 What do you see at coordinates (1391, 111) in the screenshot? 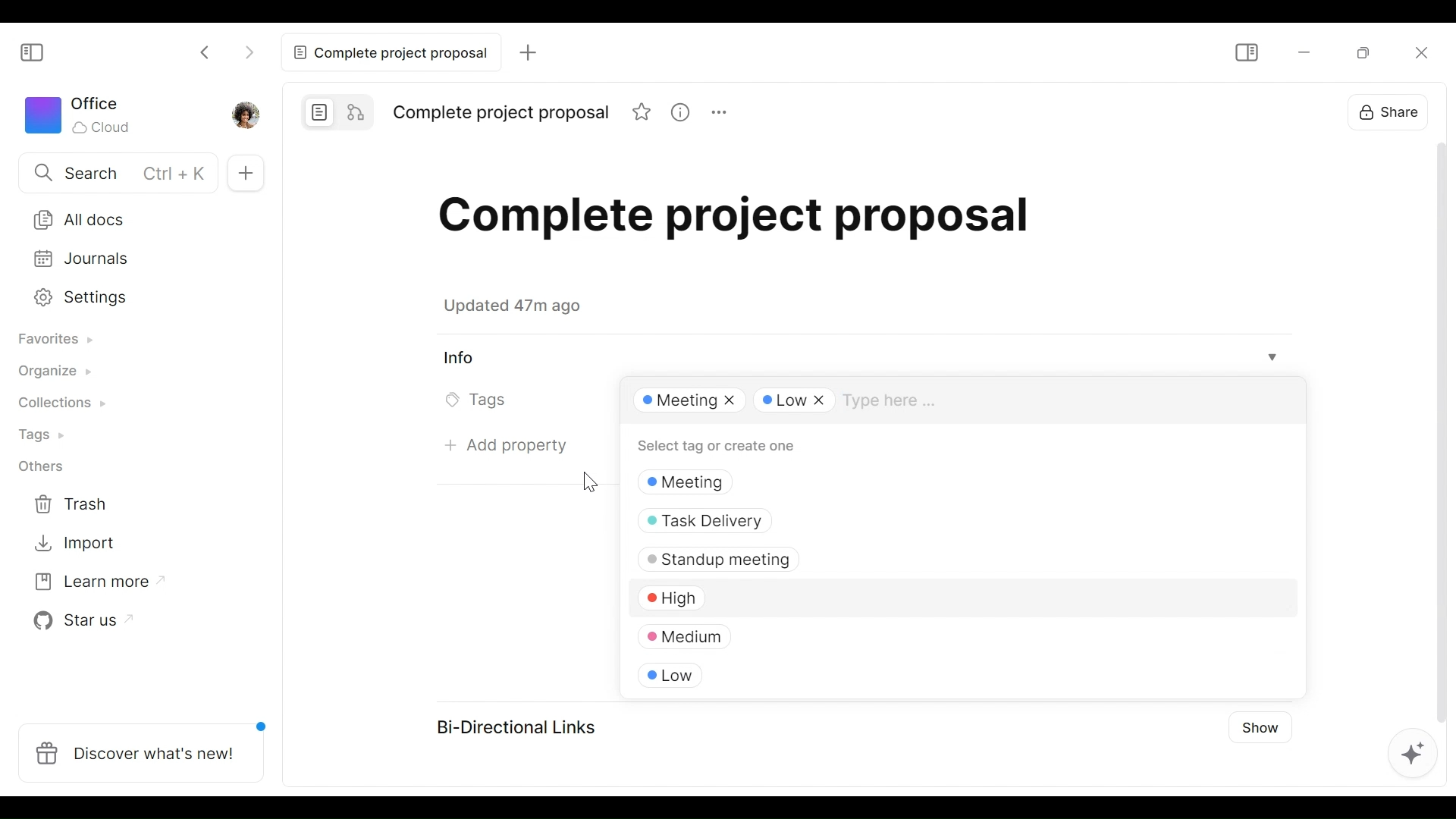
I see `Share` at bounding box center [1391, 111].